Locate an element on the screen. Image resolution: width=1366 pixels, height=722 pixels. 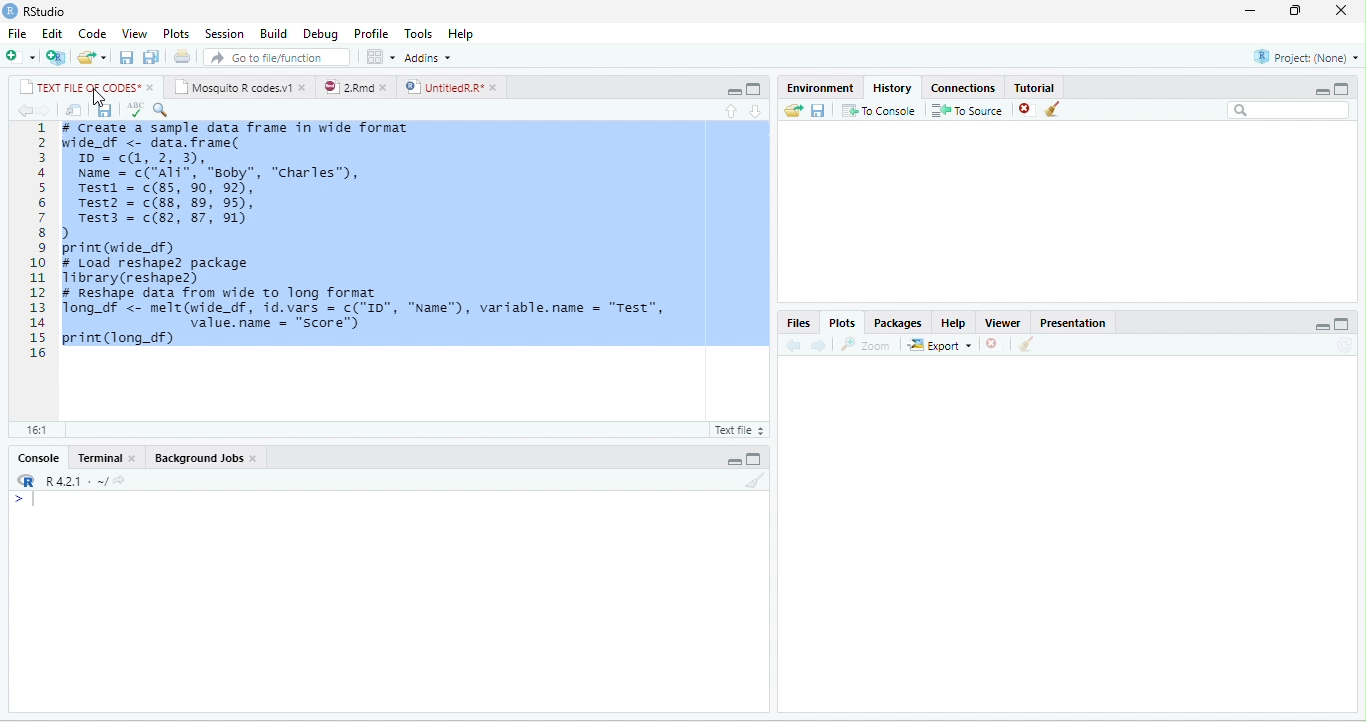
> is located at coordinates (24, 499).